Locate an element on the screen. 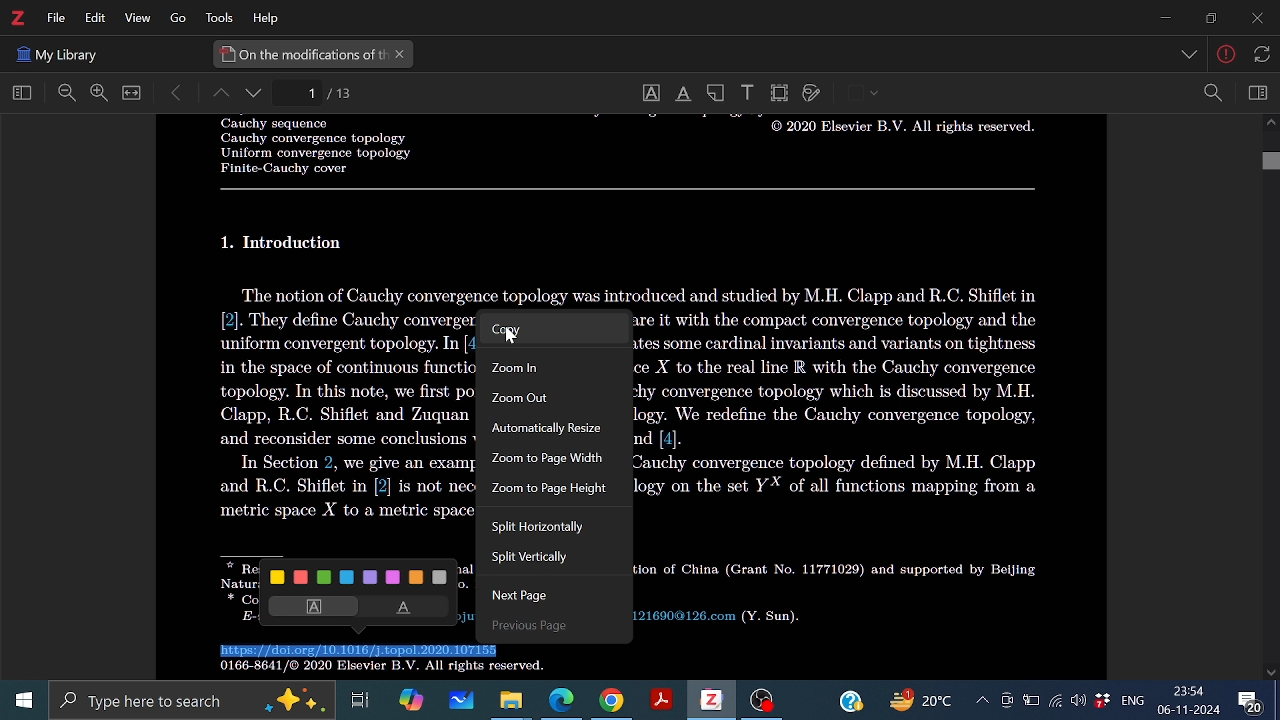 The height and width of the screenshot is (720, 1280). Split vertically is located at coordinates (542, 559).